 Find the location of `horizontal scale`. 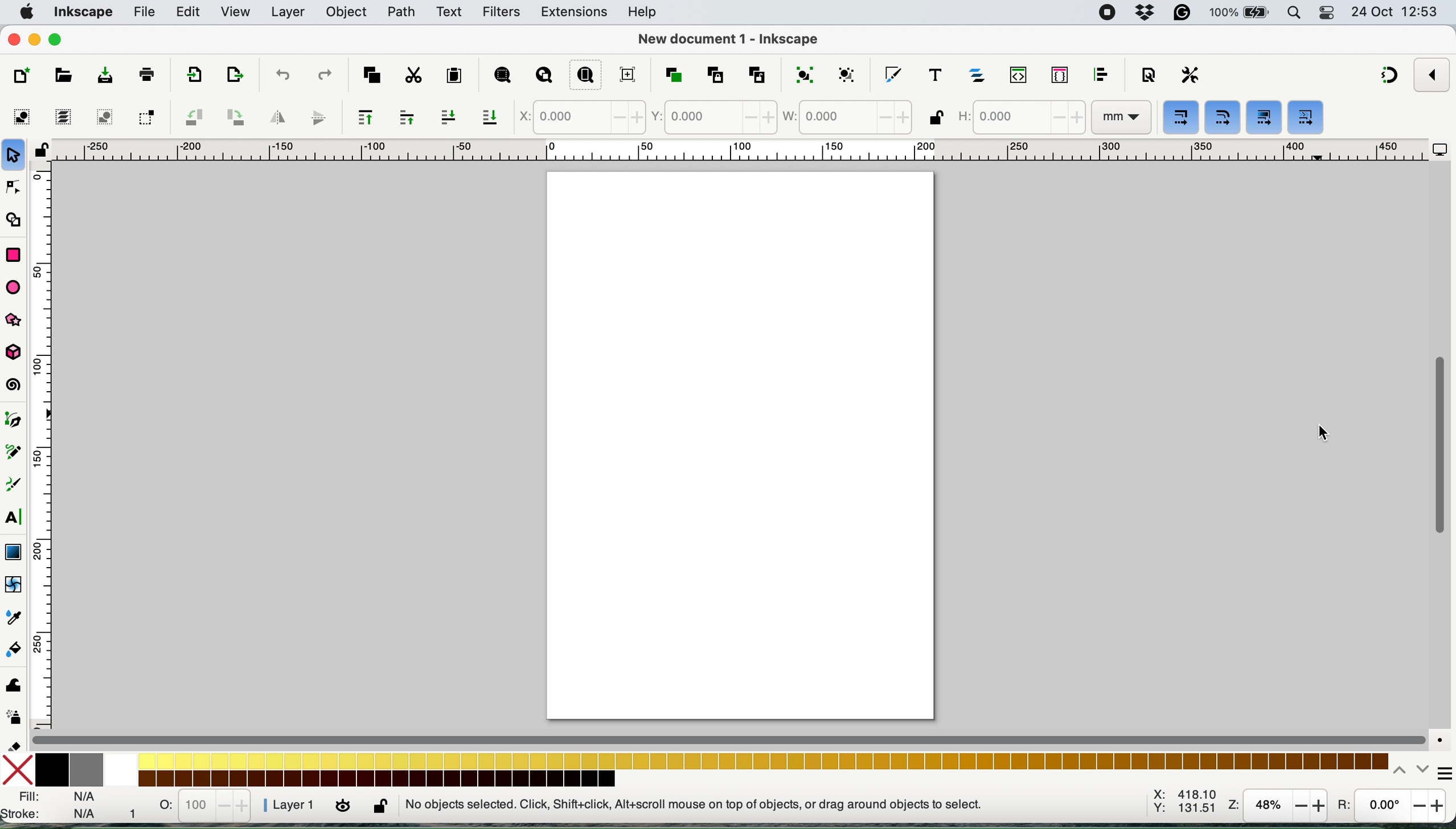

horizontal scale is located at coordinates (739, 150).